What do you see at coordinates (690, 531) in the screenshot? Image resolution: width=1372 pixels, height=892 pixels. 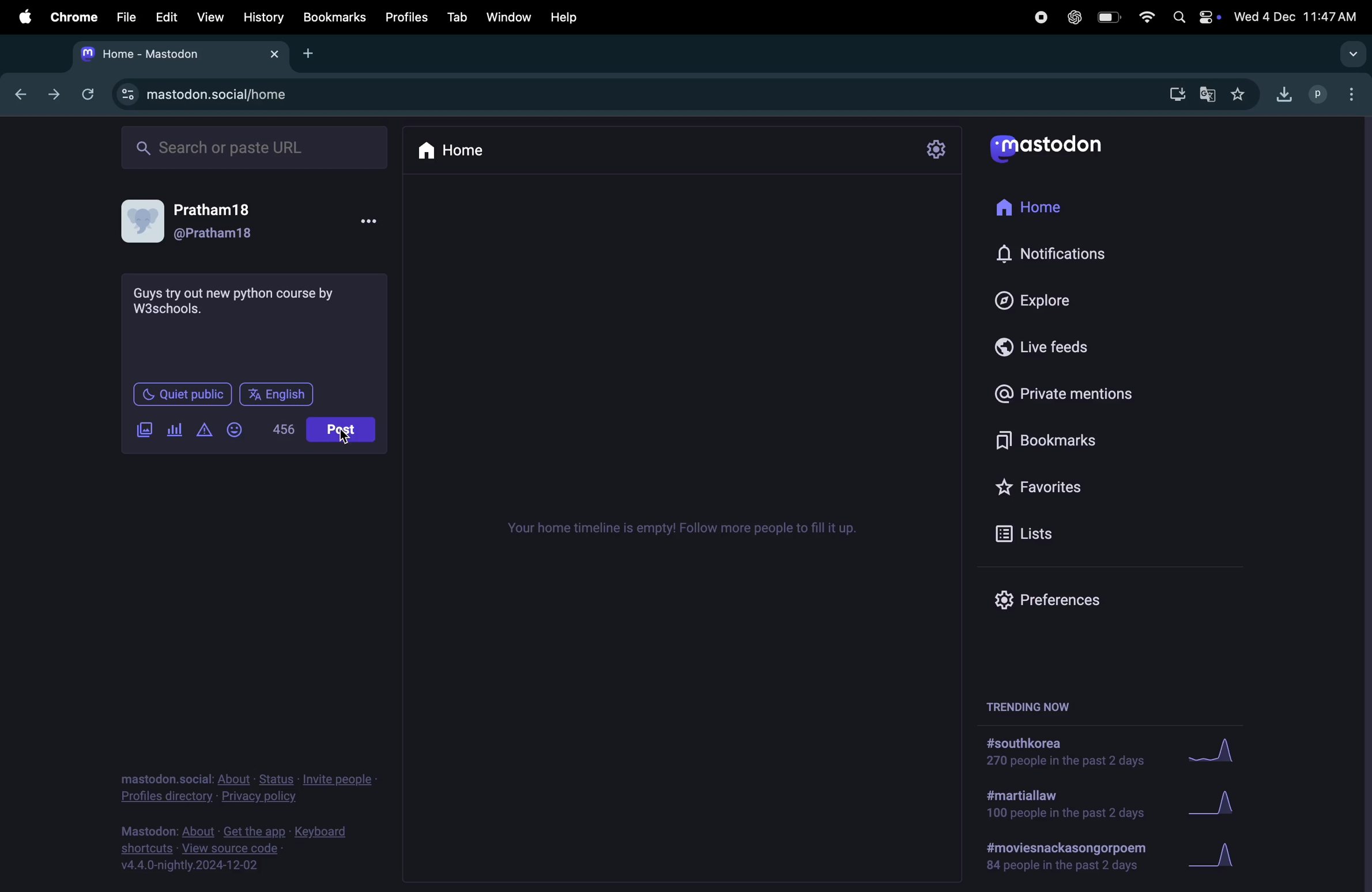 I see `time line` at bounding box center [690, 531].